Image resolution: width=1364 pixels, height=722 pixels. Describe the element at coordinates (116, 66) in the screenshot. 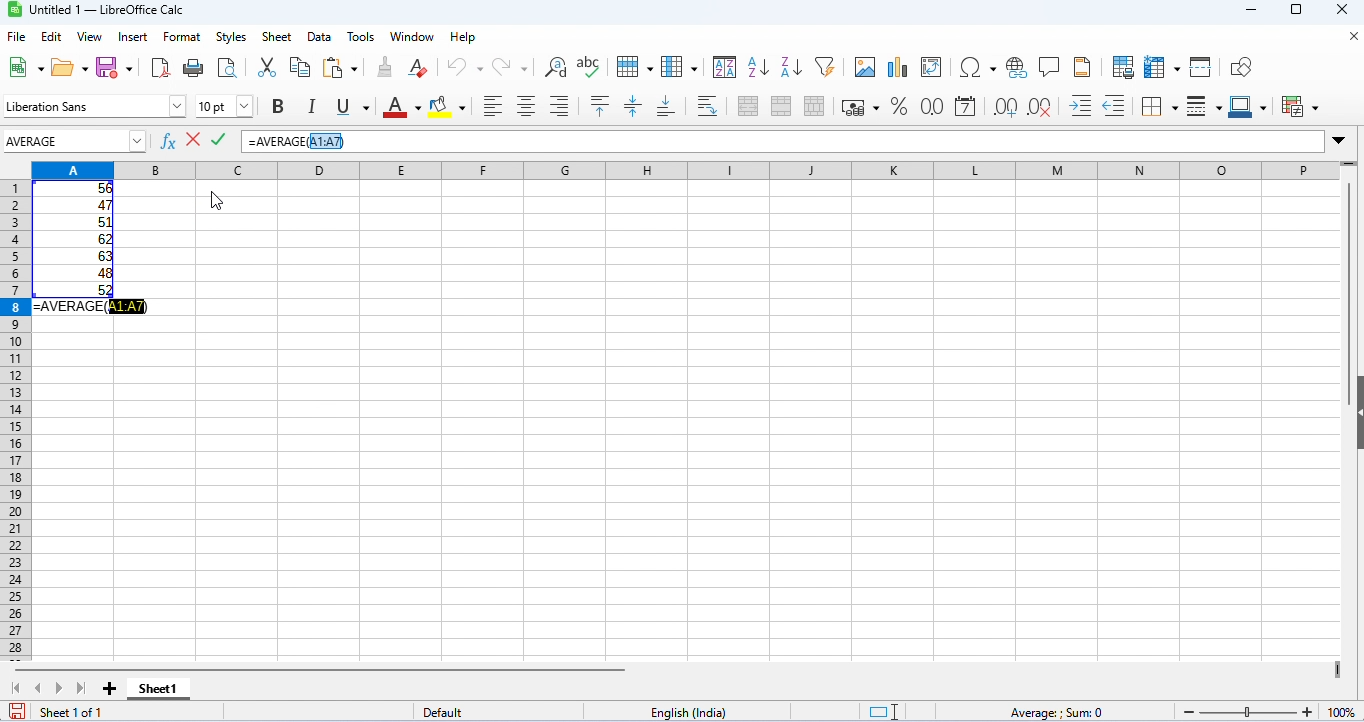

I see `save` at that location.